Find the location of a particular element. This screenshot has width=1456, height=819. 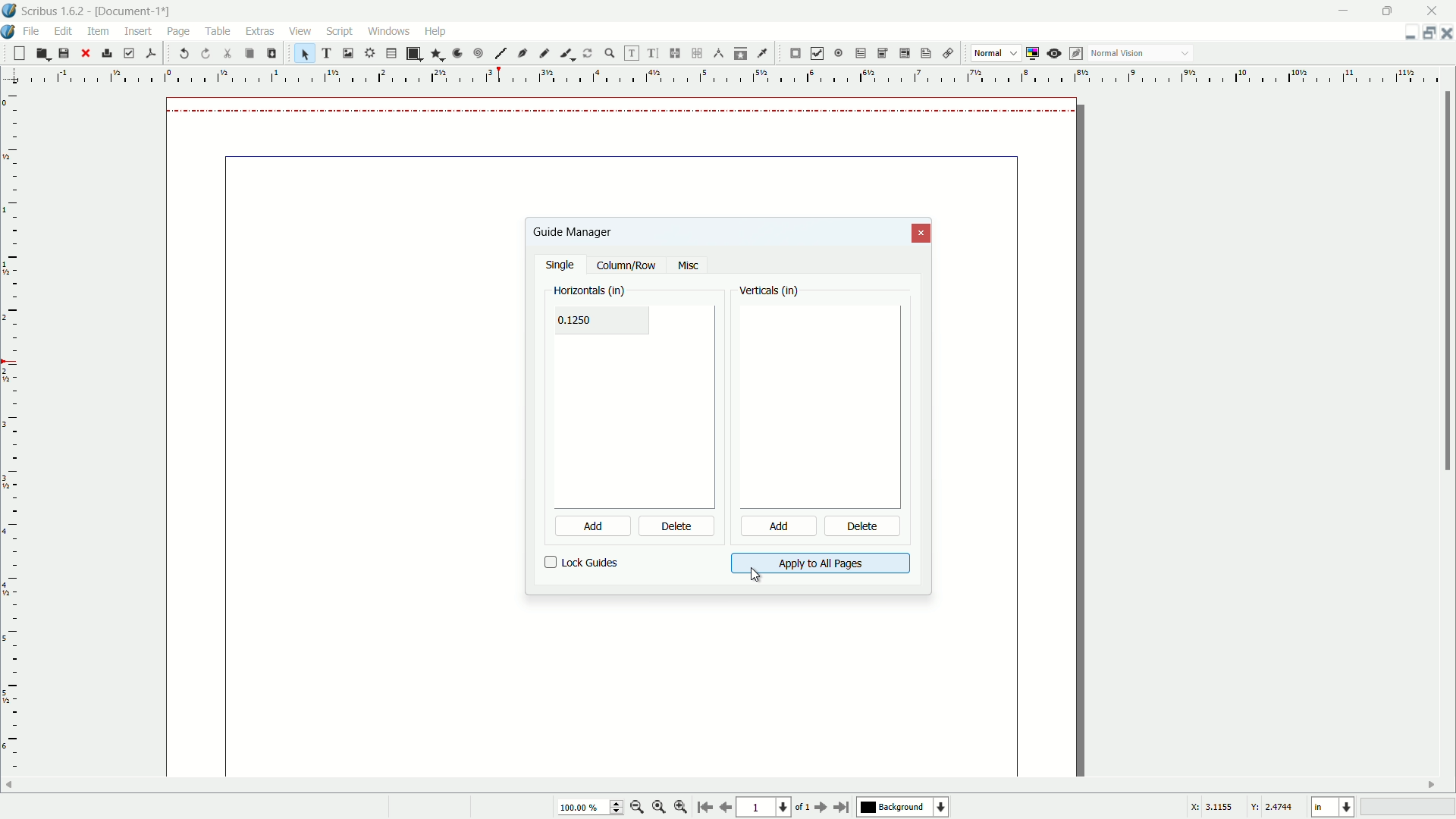

go to next page is located at coordinates (818, 808).